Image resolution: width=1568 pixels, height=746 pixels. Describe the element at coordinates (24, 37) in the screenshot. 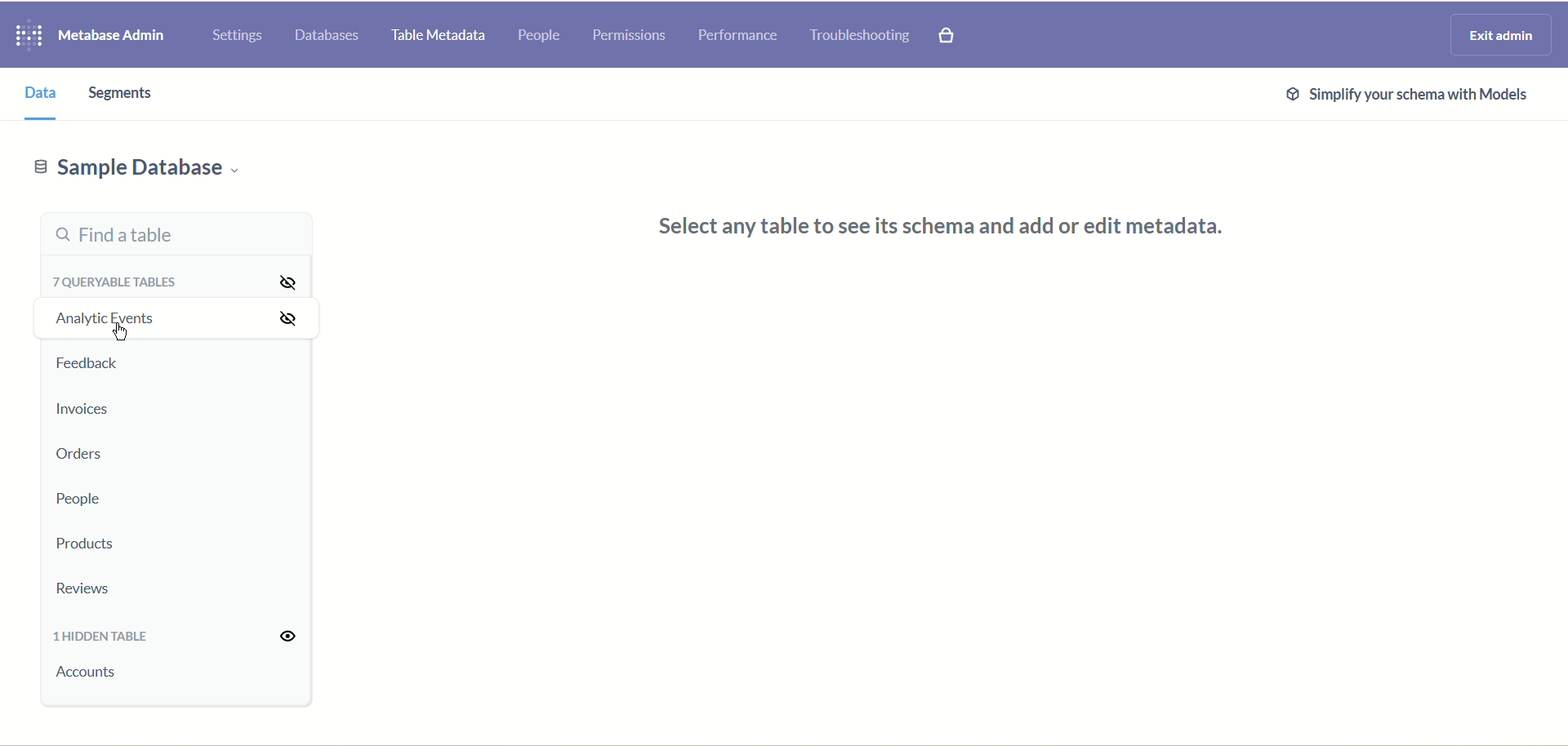

I see `logo` at that location.